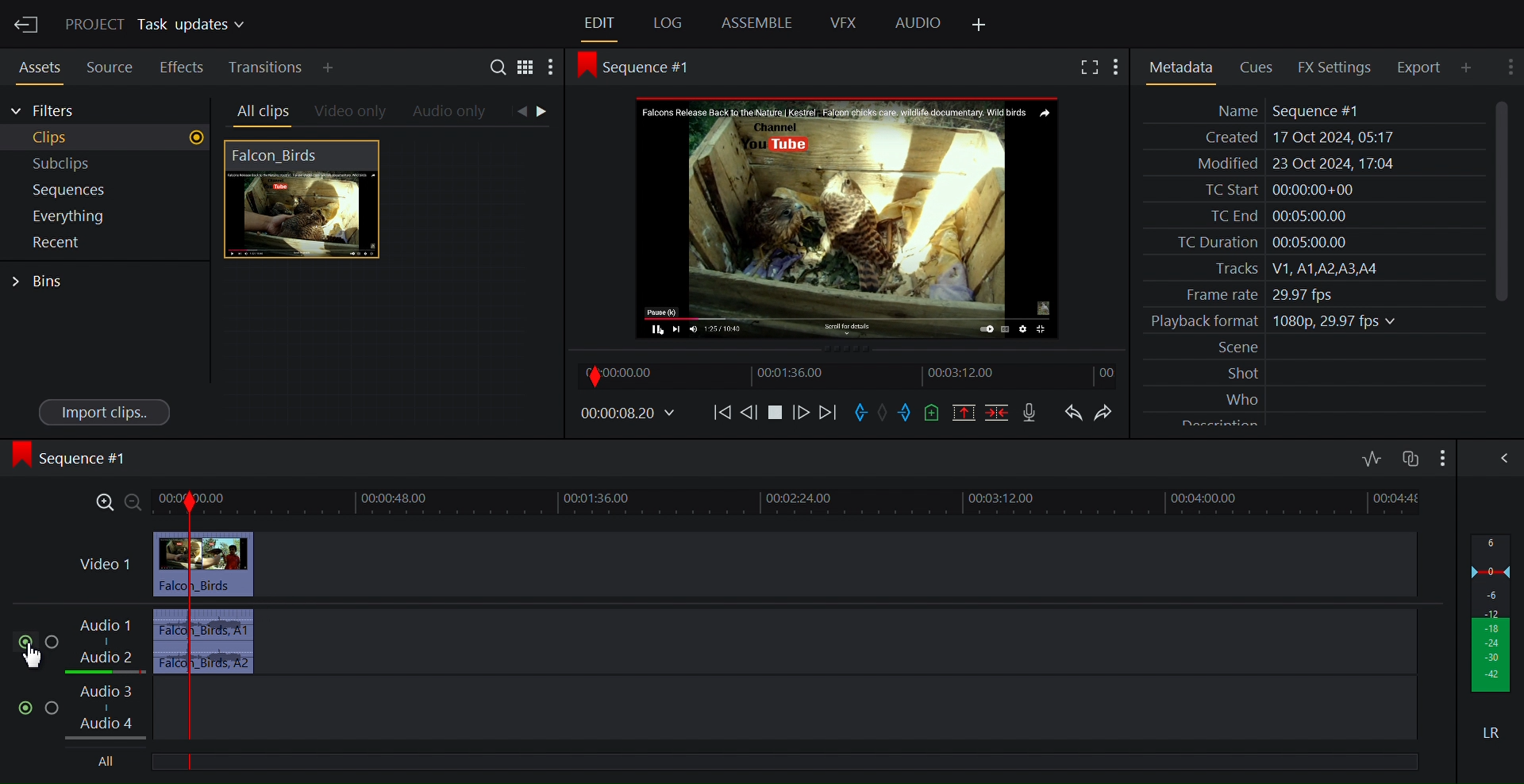 The image size is (1524, 784). Describe the element at coordinates (883, 412) in the screenshot. I see `Clear marks` at that location.